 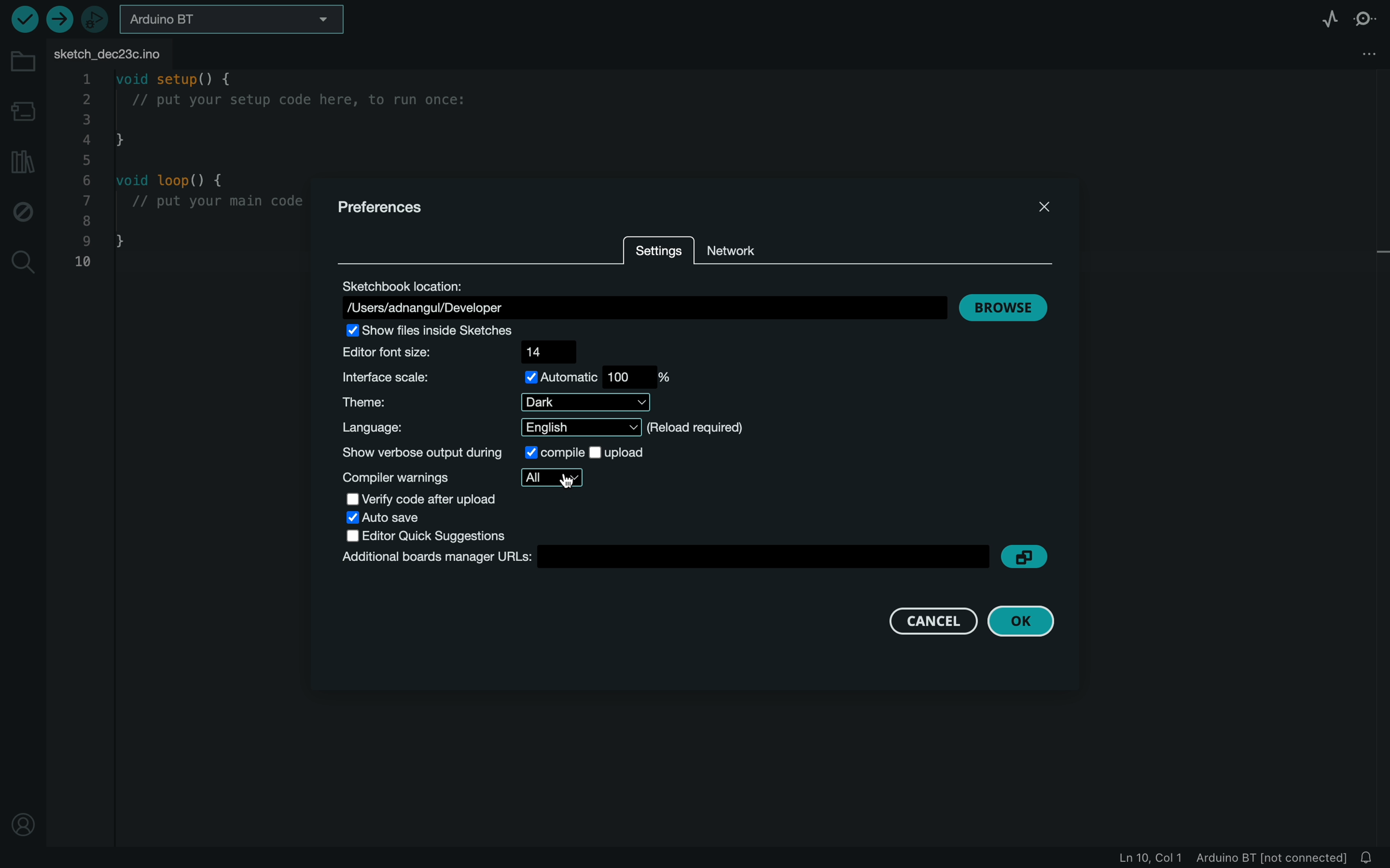 I want to click on notification, so click(x=1369, y=858).